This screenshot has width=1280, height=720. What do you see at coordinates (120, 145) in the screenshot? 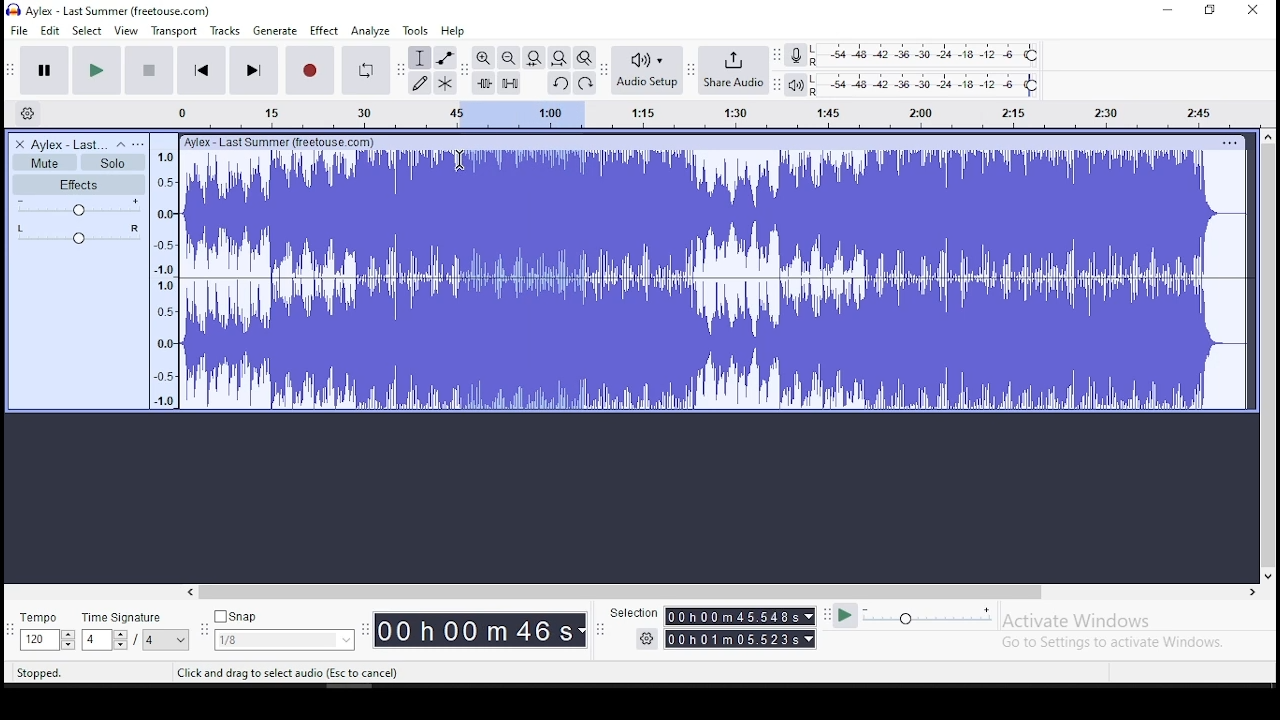
I see `collapse` at bounding box center [120, 145].